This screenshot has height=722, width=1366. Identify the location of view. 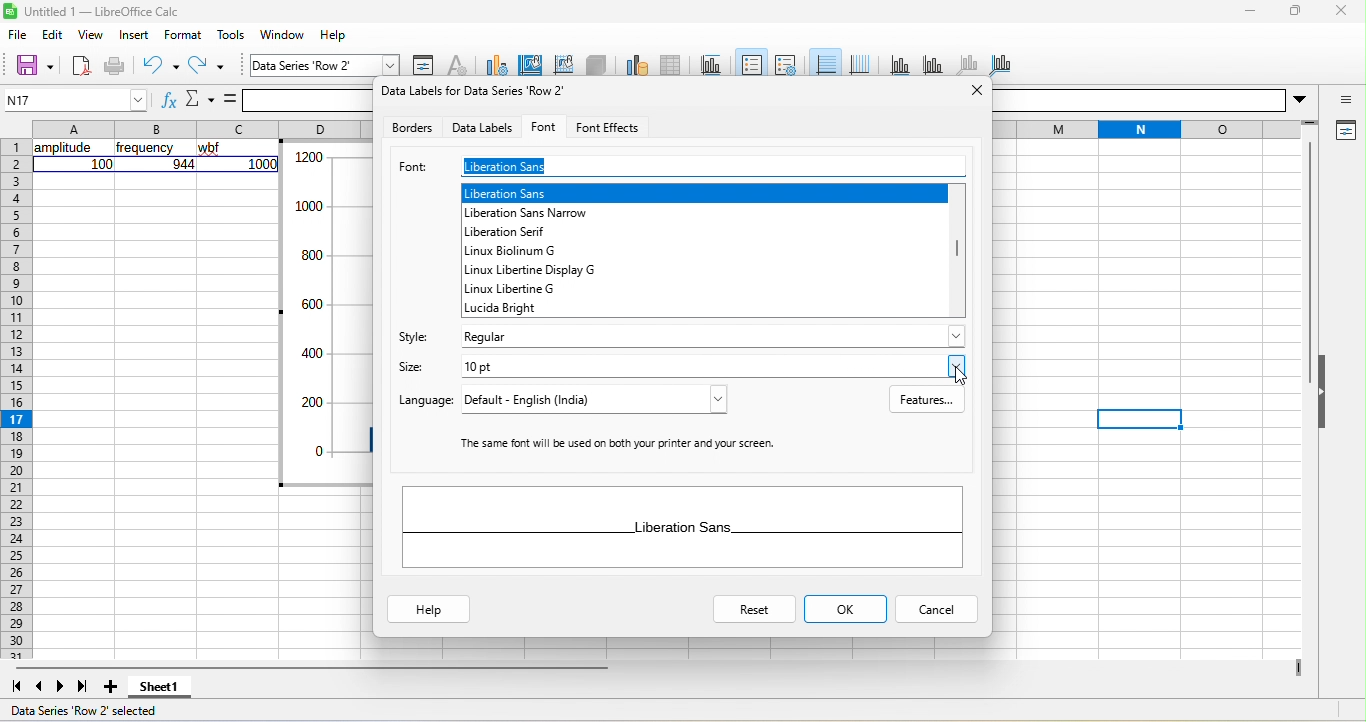
(92, 33).